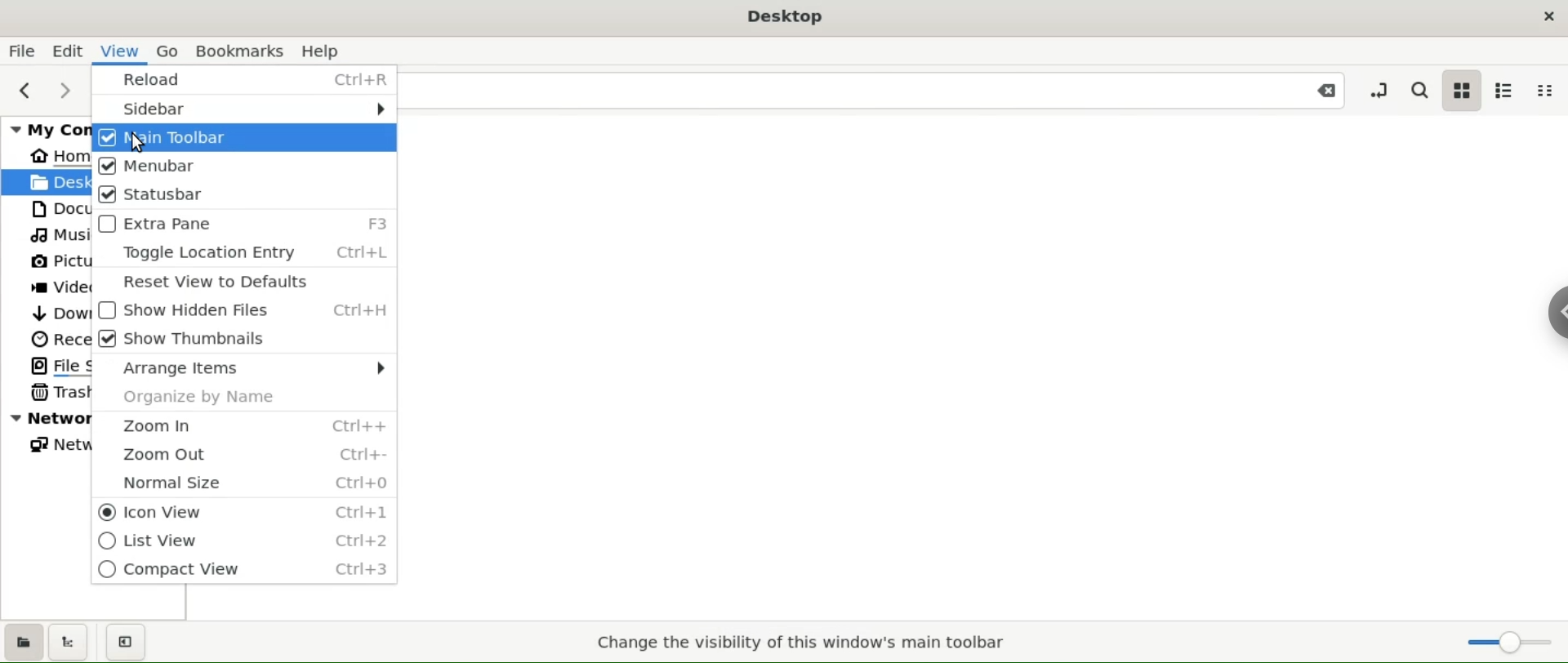 This screenshot has width=1568, height=663. Describe the element at coordinates (1497, 637) in the screenshot. I see `zoom slider` at that location.